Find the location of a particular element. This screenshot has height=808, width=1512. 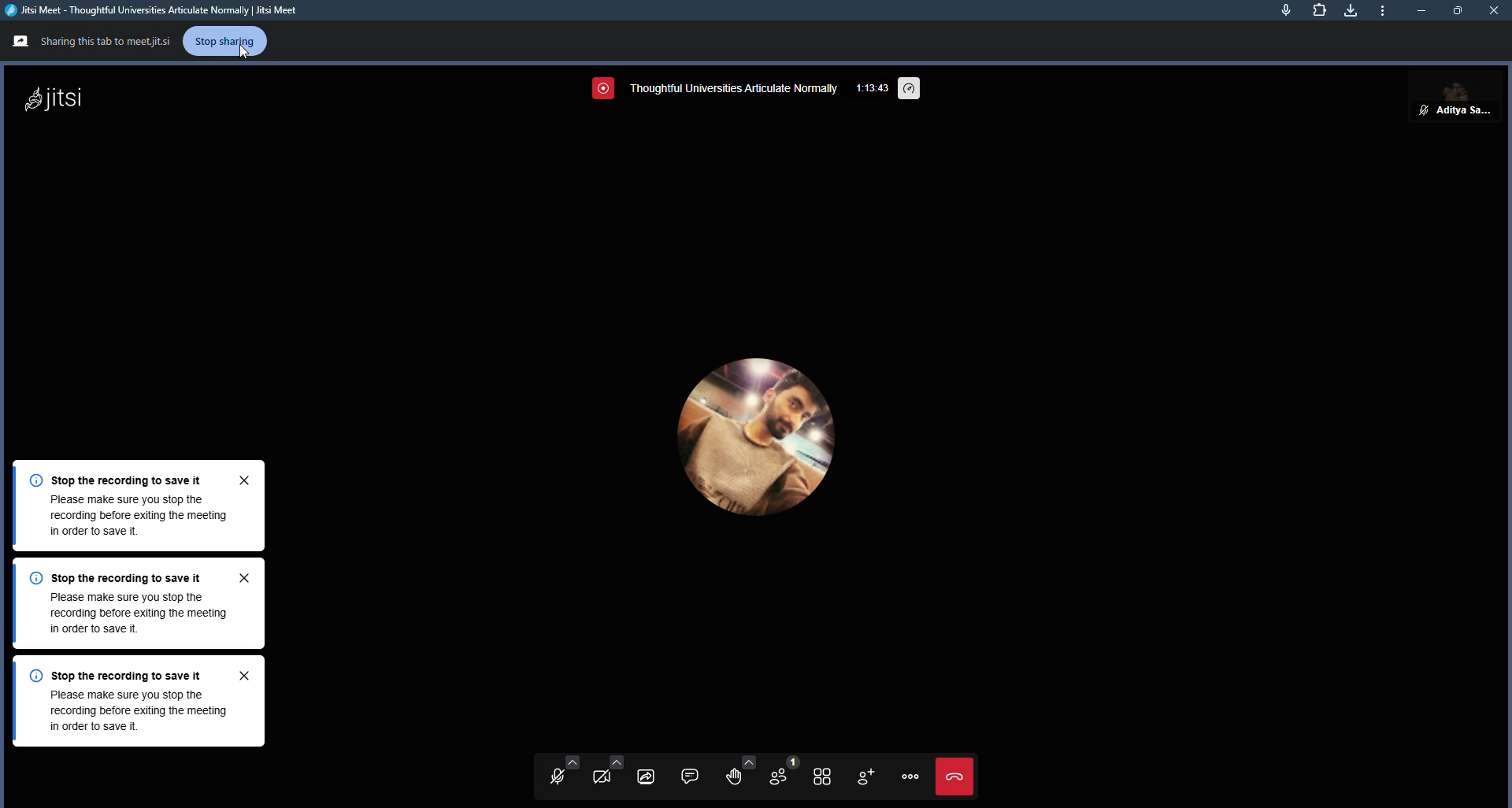

participants is located at coordinates (776, 773).